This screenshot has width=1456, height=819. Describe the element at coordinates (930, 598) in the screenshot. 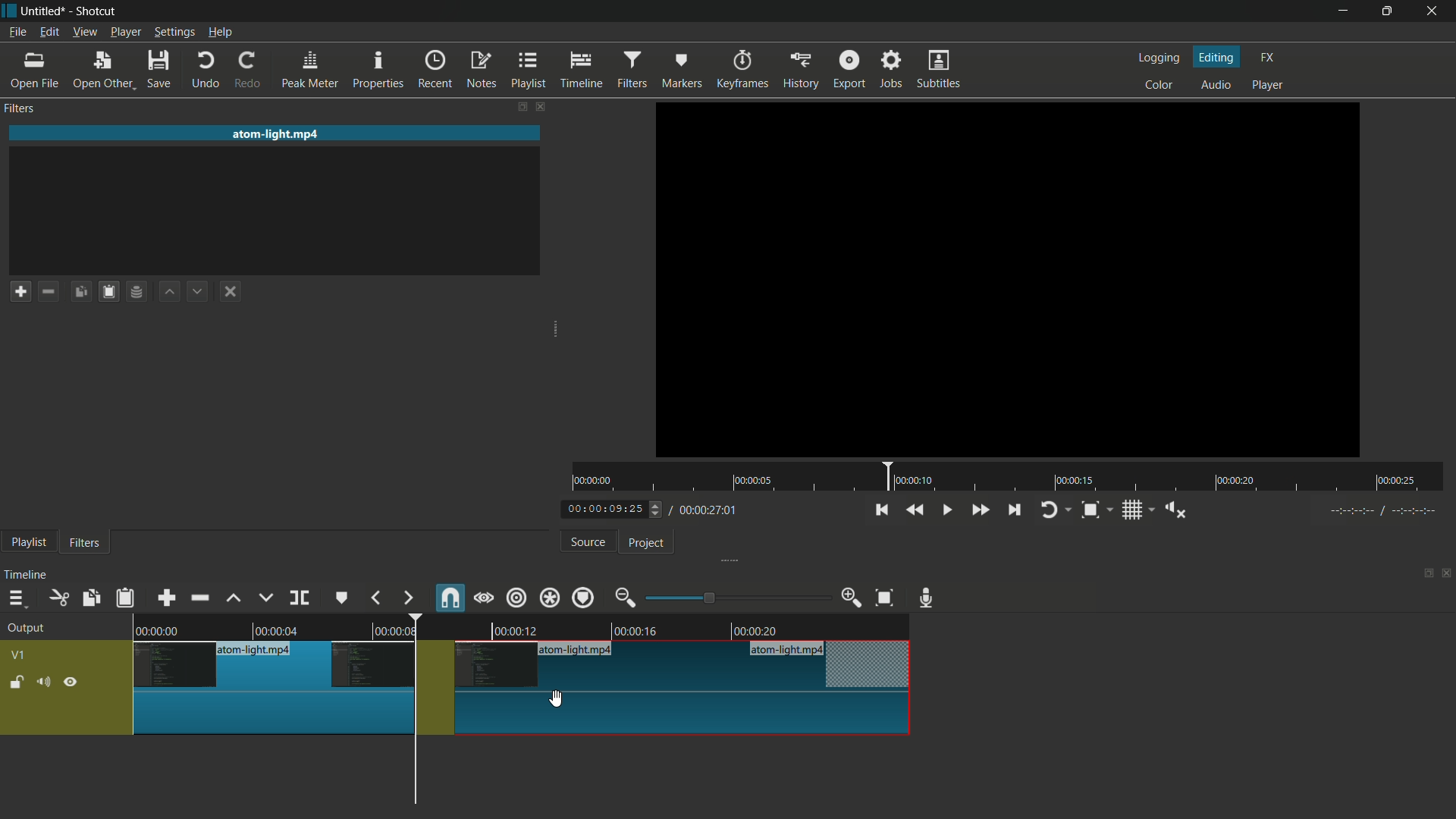

I see `record audio` at that location.